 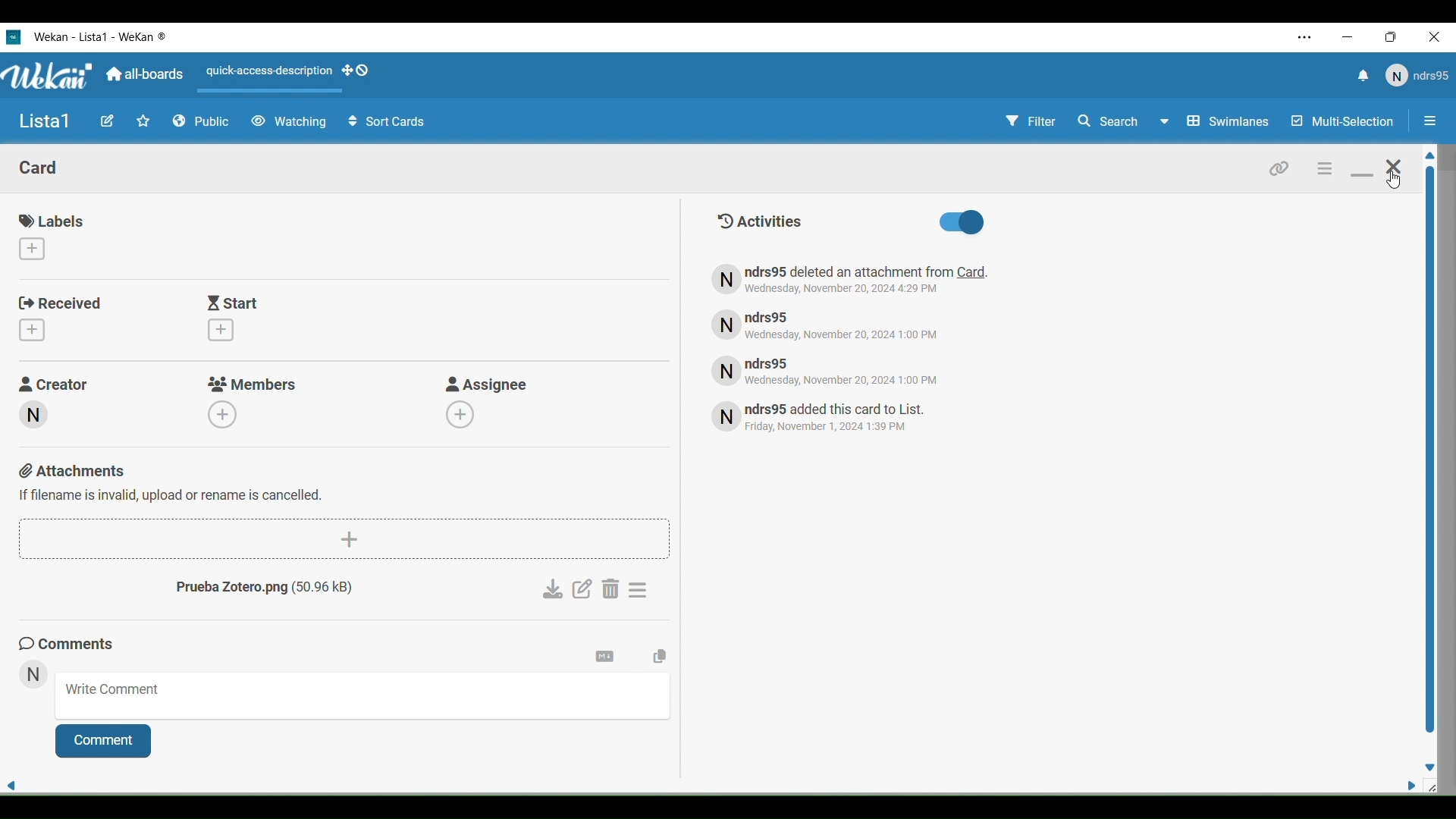 What do you see at coordinates (234, 303) in the screenshot?
I see `Start` at bounding box center [234, 303].